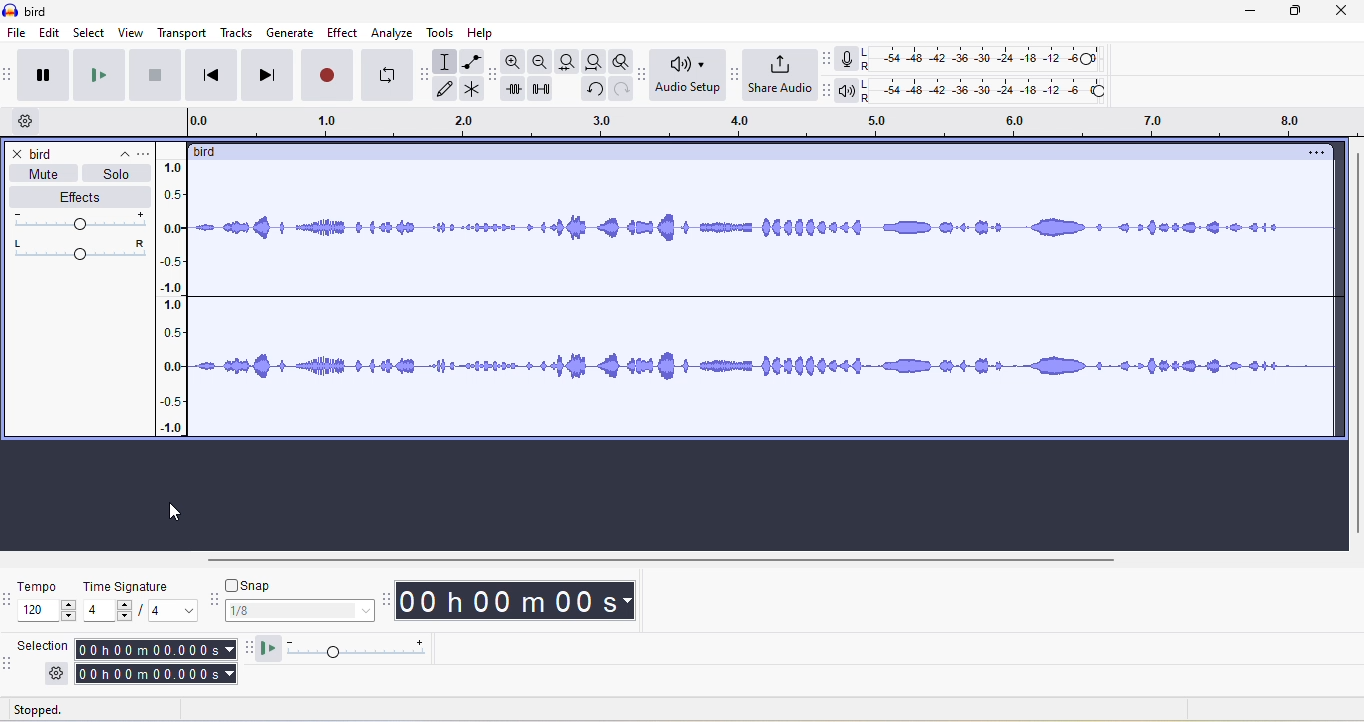 The image size is (1364, 722). Describe the element at coordinates (28, 11) in the screenshot. I see `title` at that location.